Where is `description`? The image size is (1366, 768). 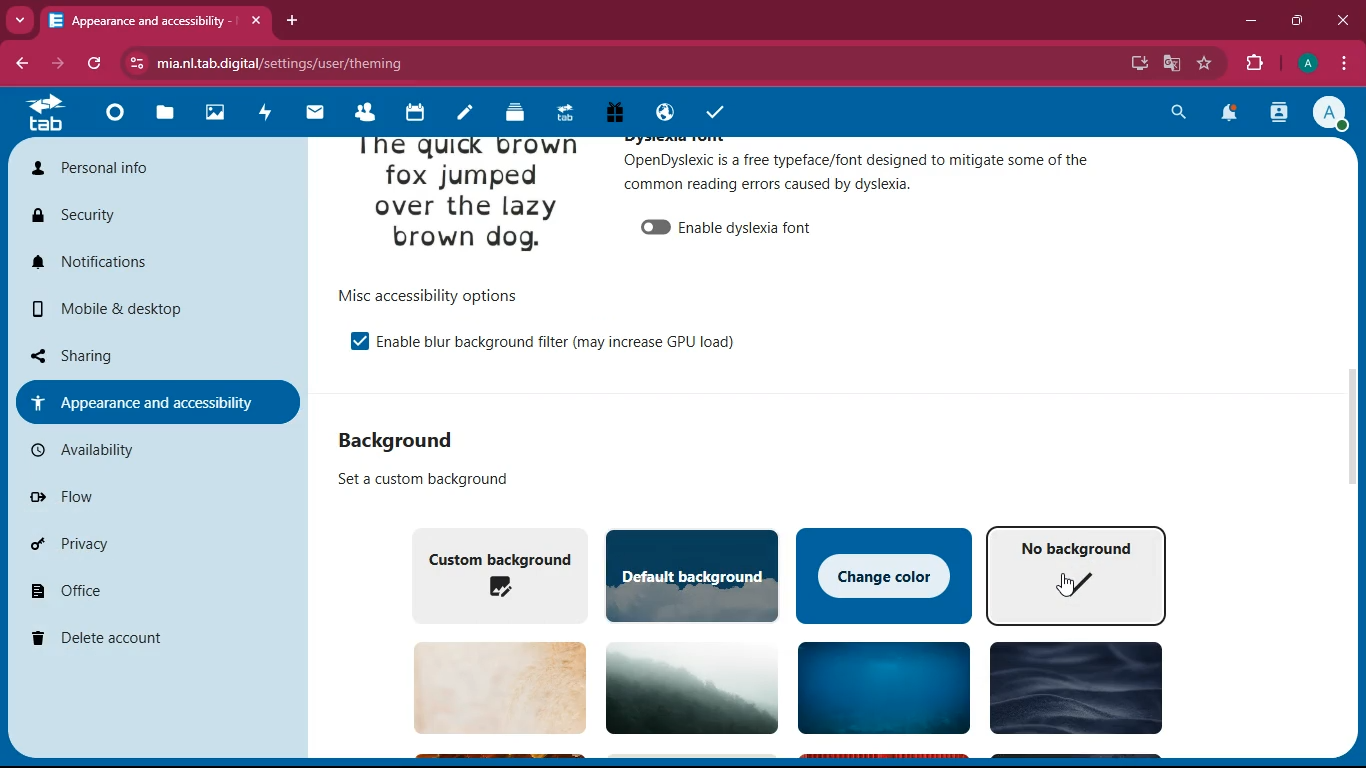 description is located at coordinates (413, 479).